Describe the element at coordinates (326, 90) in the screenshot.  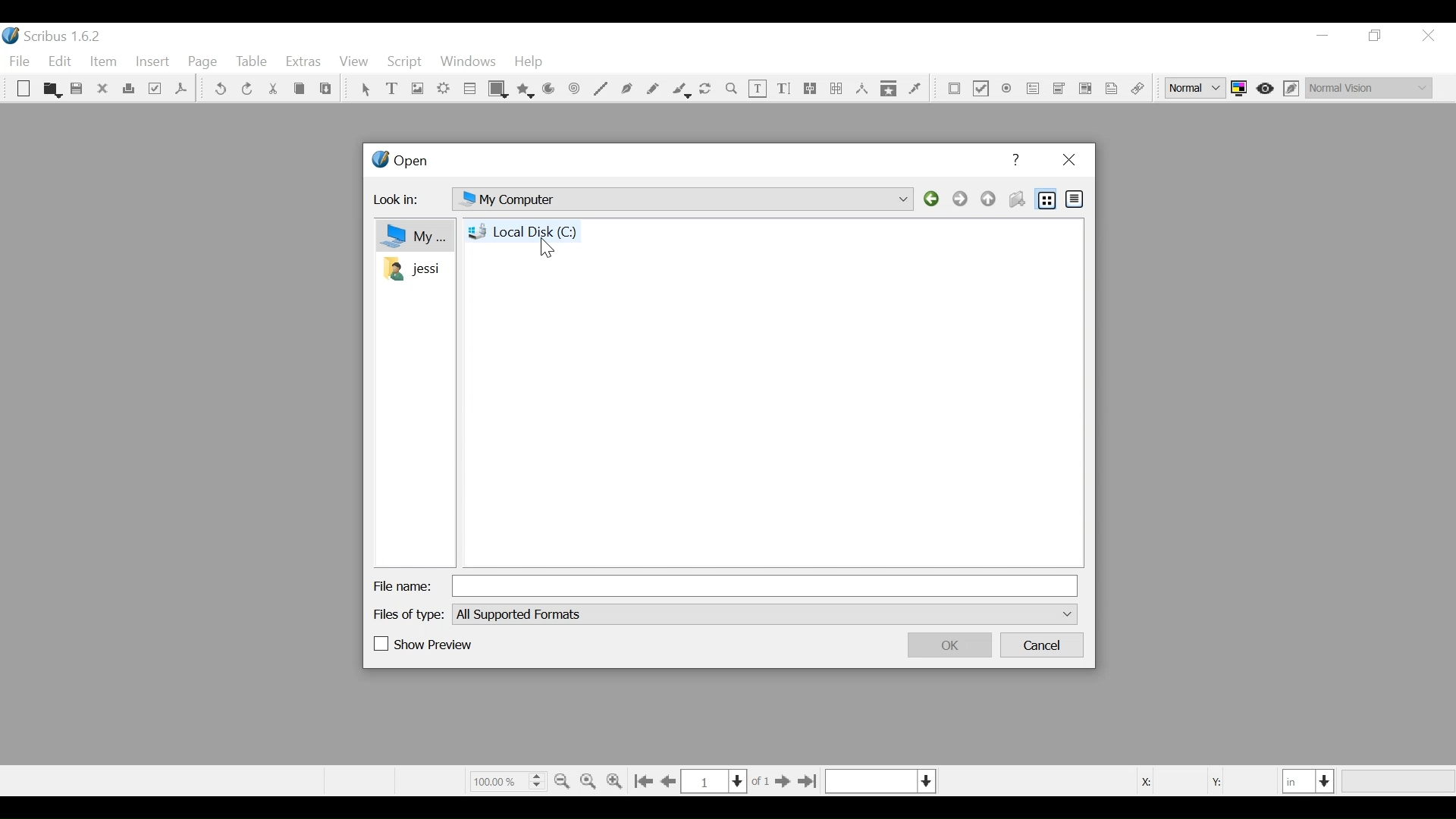
I see `Paste` at that location.